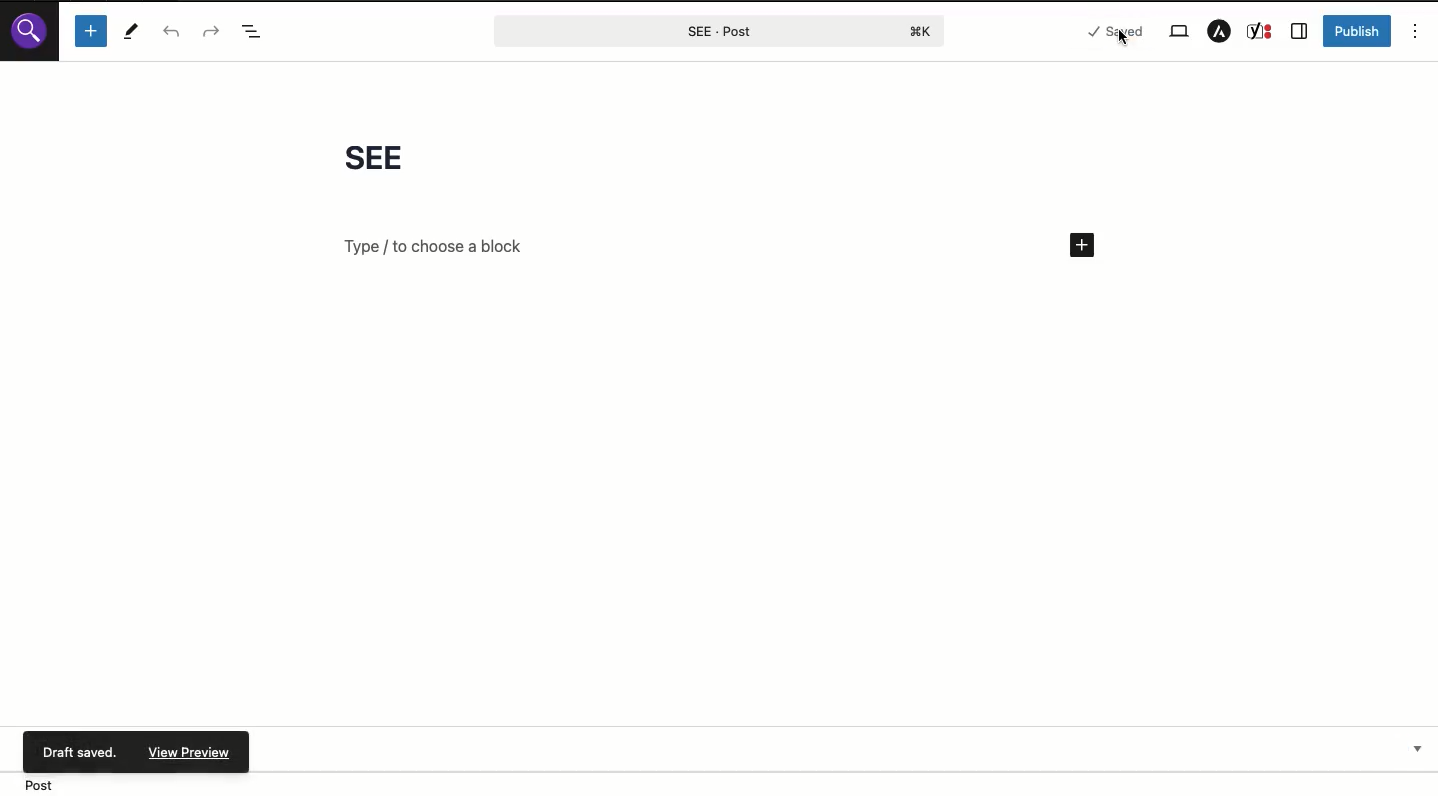  Describe the element at coordinates (1419, 35) in the screenshot. I see `Options` at that location.